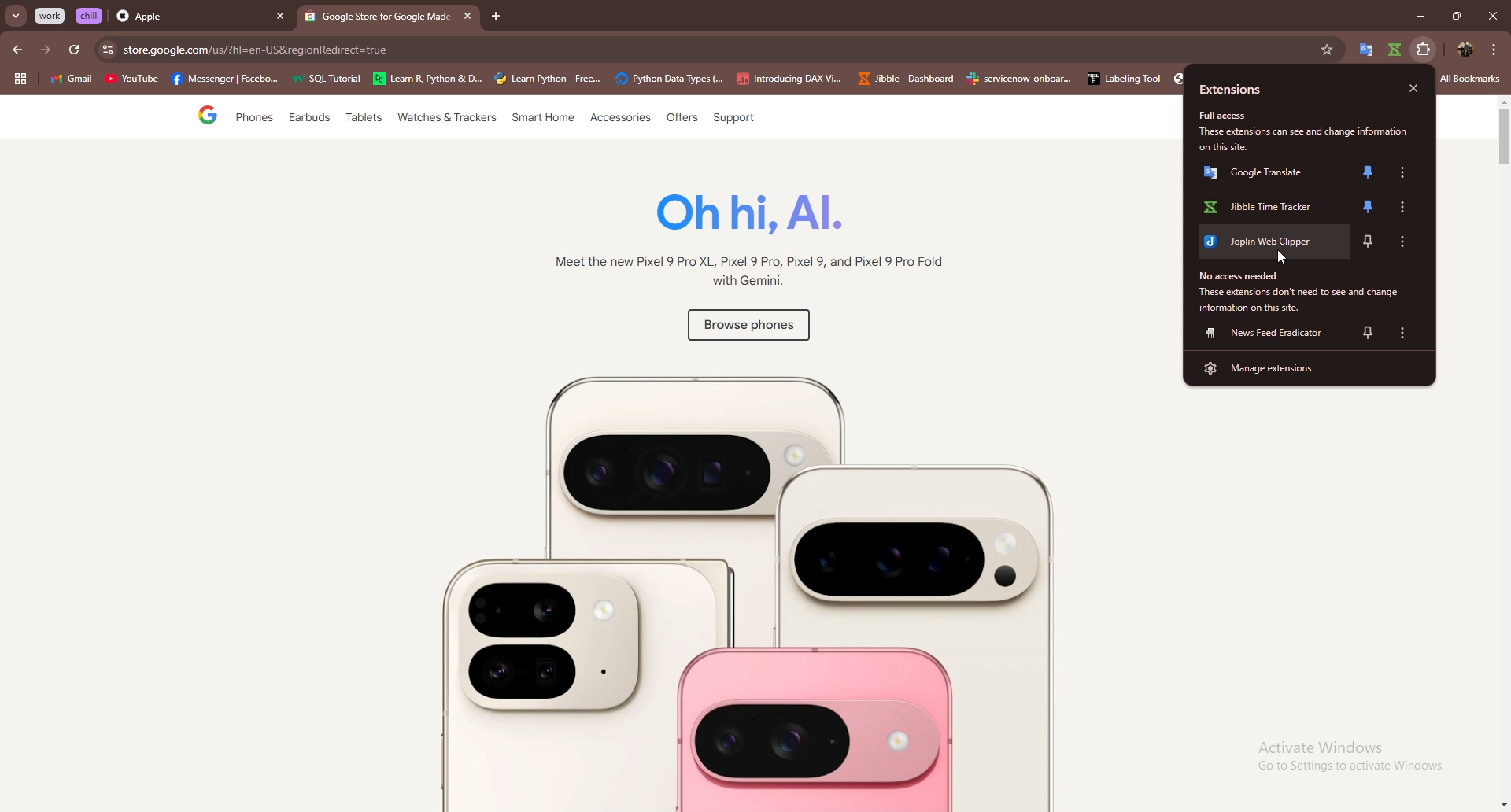 The image size is (1511, 812). I want to click on option, so click(1408, 240).